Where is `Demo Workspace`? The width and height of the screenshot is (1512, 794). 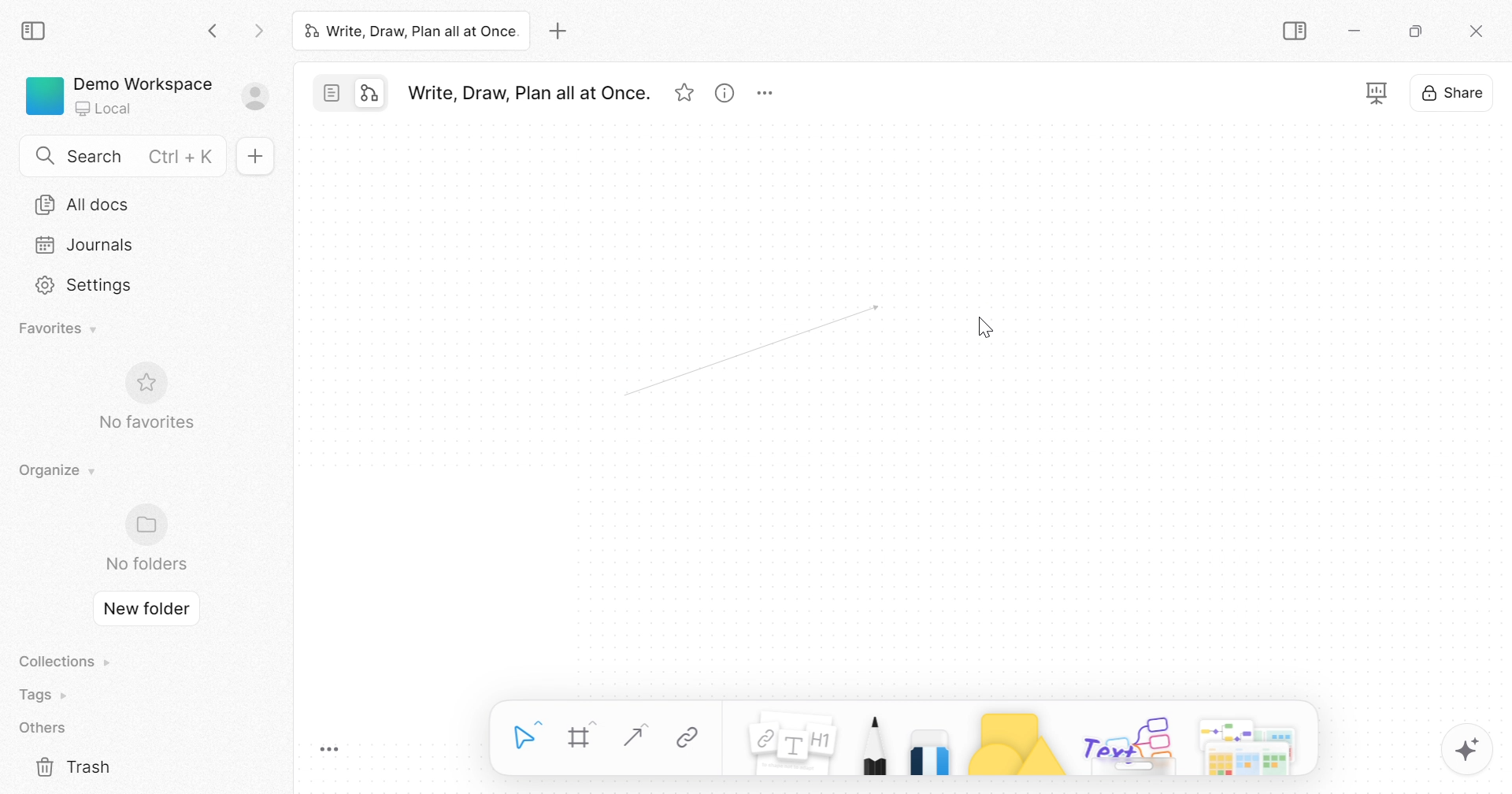
Demo Workspace is located at coordinates (142, 82).